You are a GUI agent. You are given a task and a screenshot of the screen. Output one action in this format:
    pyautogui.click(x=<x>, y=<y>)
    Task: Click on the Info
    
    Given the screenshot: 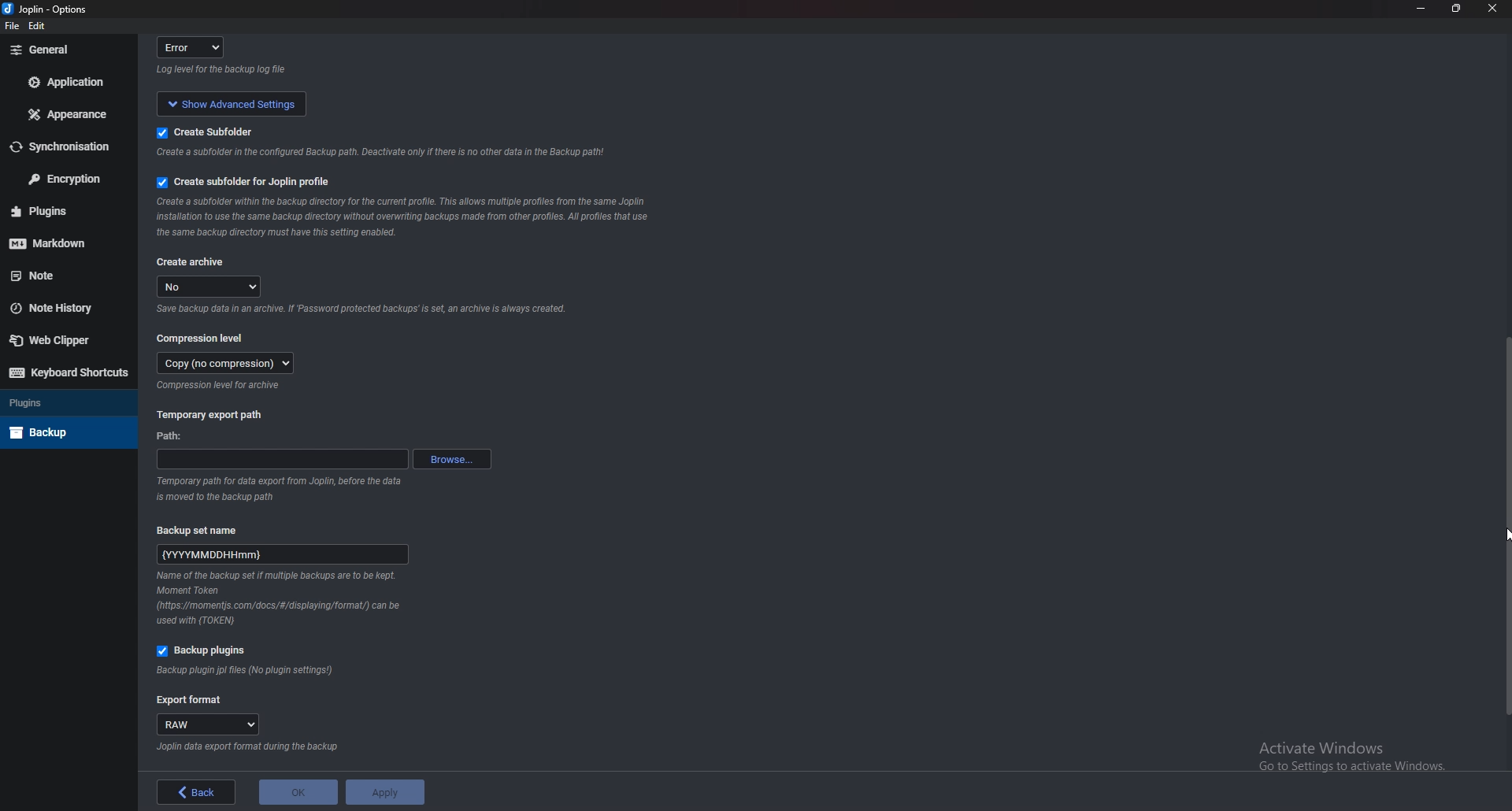 What is the action you would take?
    pyautogui.click(x=222, y=386)
    